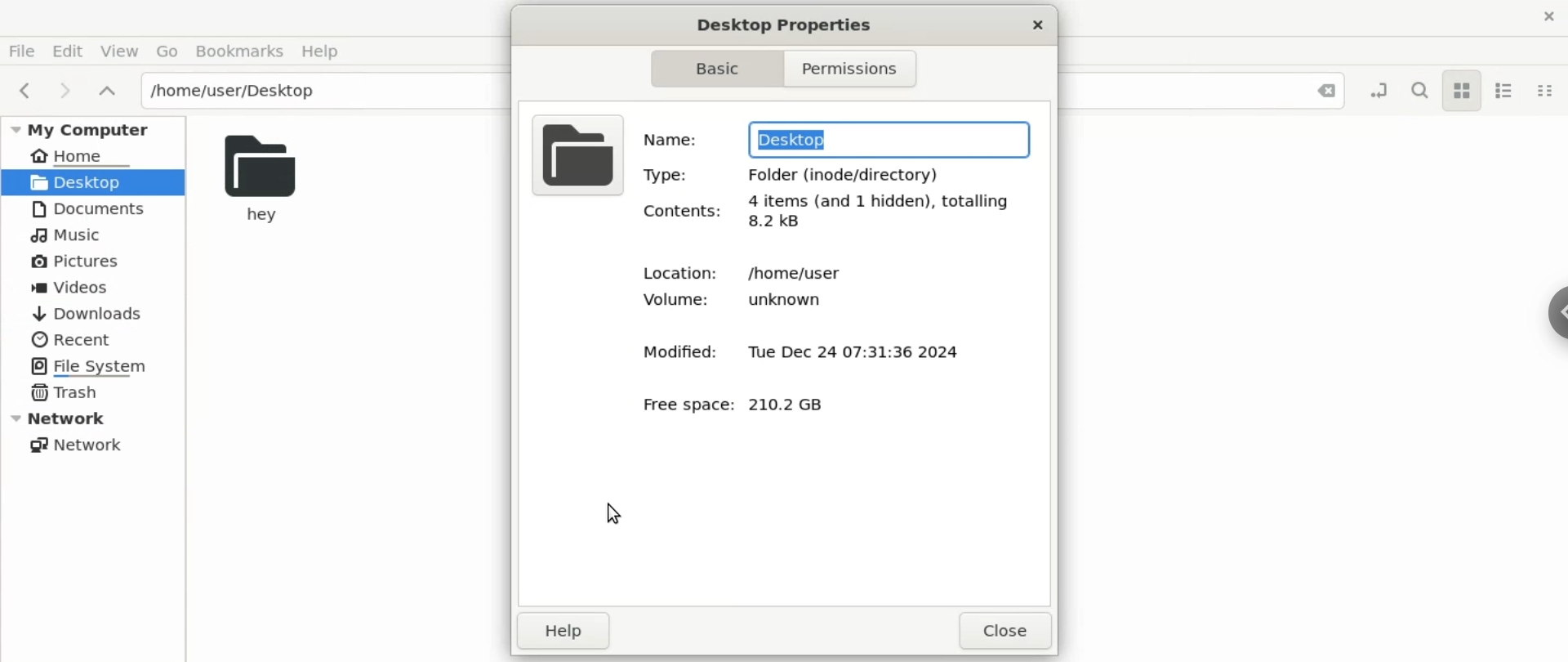  I want to click on desktop, so click(93, 182).